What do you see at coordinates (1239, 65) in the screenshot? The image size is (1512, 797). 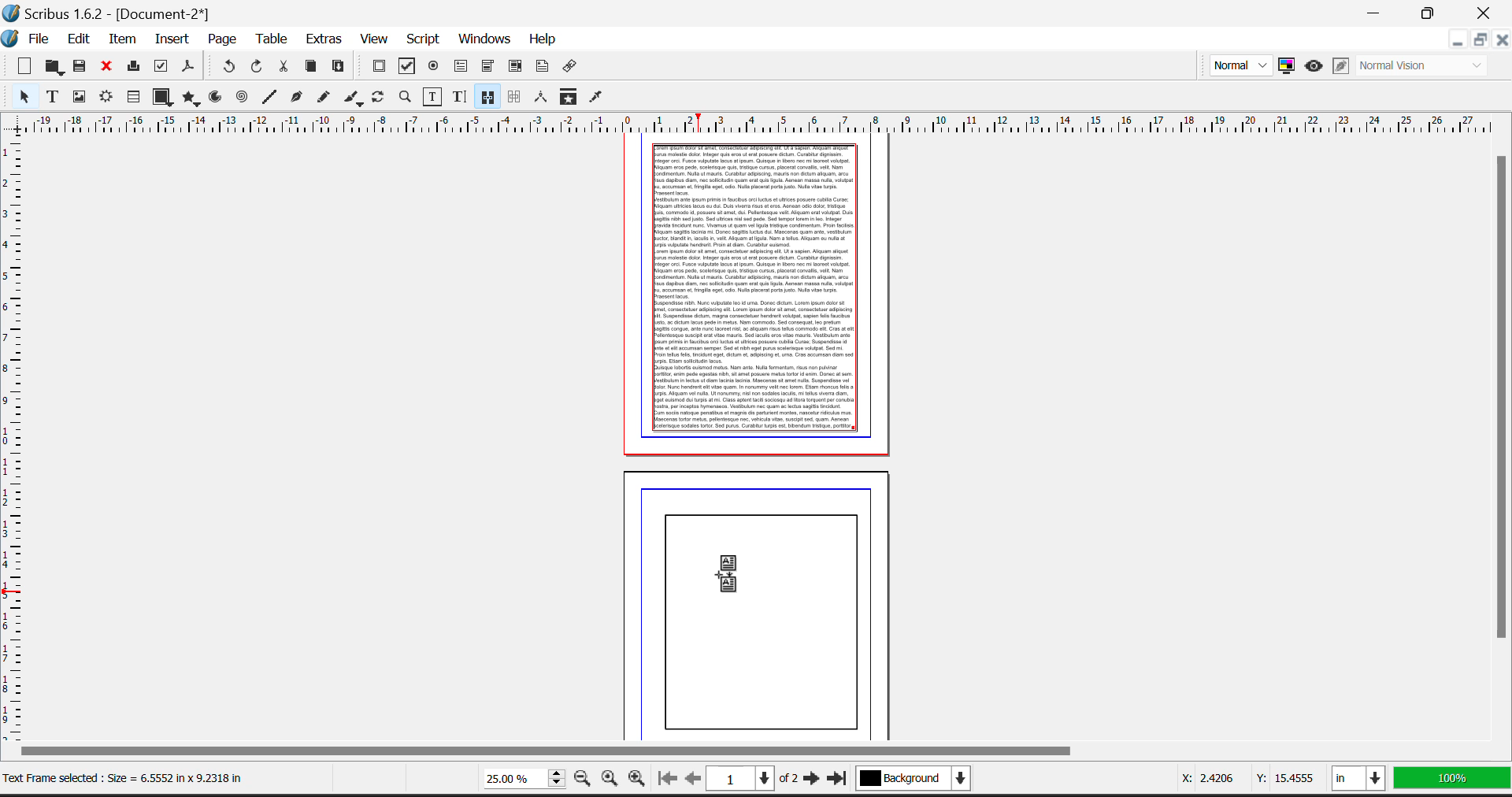 I see `Normal` at bounding box center [1239, 65].